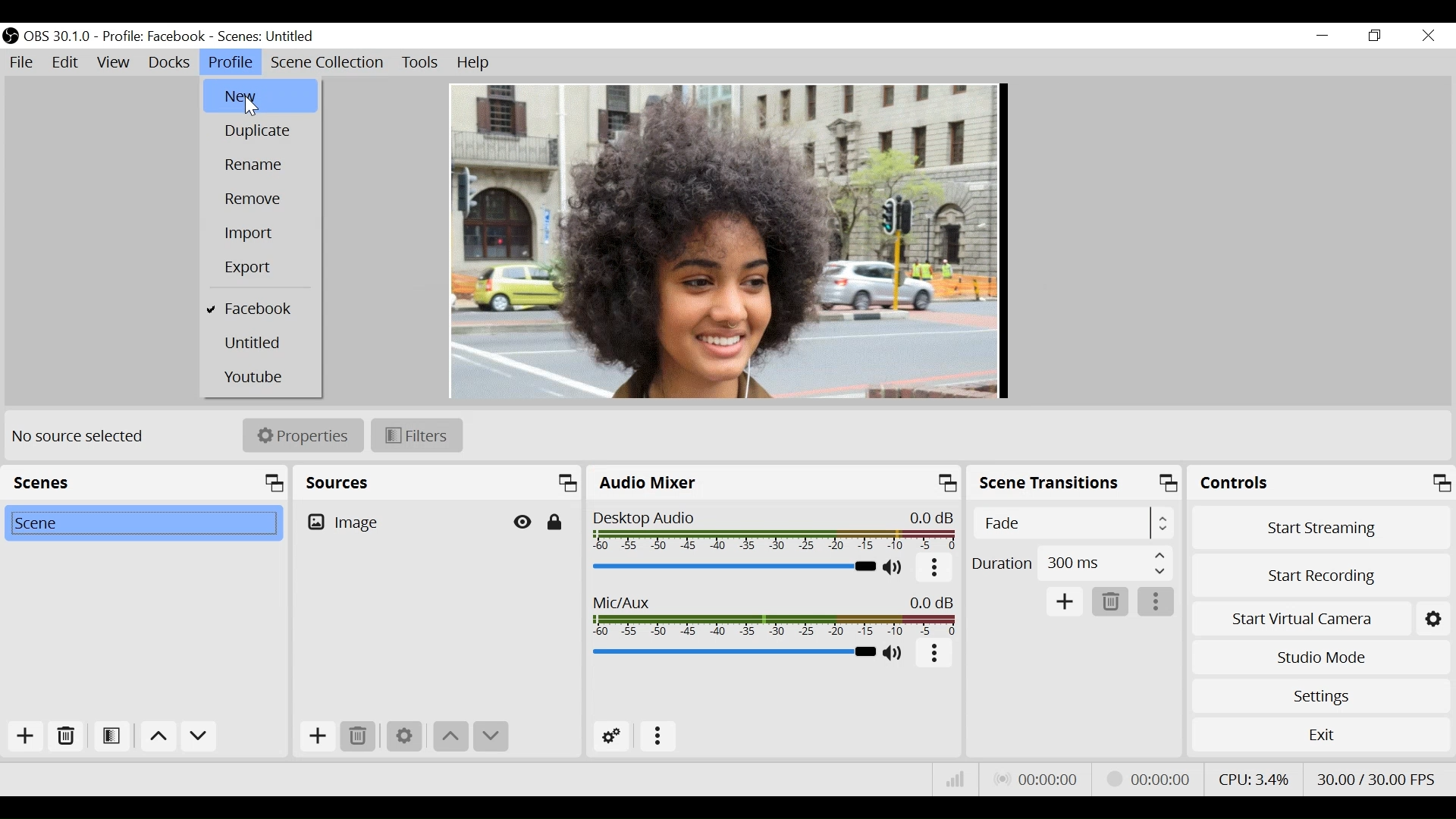 The image size is (1456, 819). I want to click on Image, so click(400, 521).